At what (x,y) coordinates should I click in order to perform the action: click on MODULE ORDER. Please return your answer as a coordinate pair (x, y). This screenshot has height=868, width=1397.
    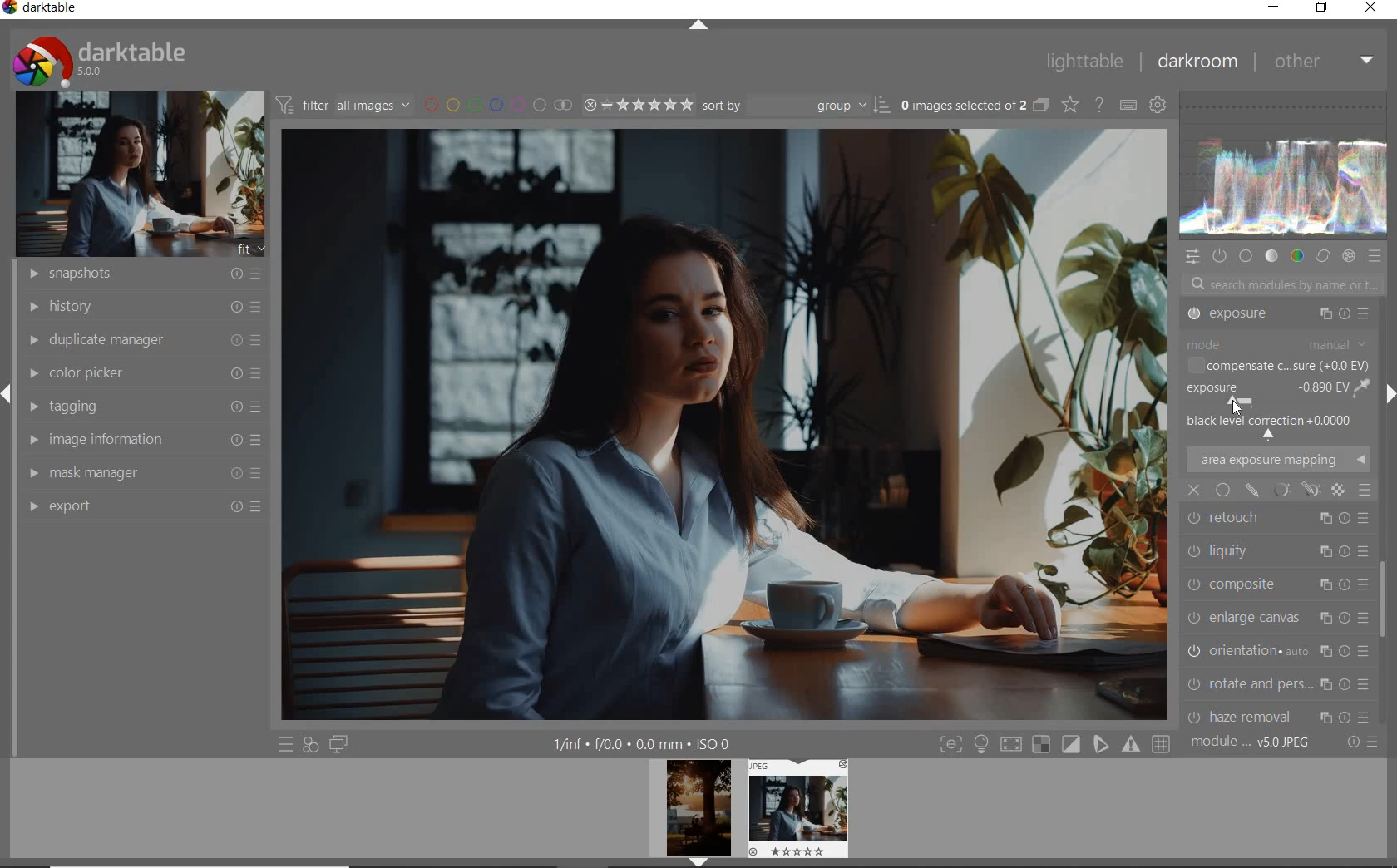
    Looking at the image, I should click on (1251, 743).